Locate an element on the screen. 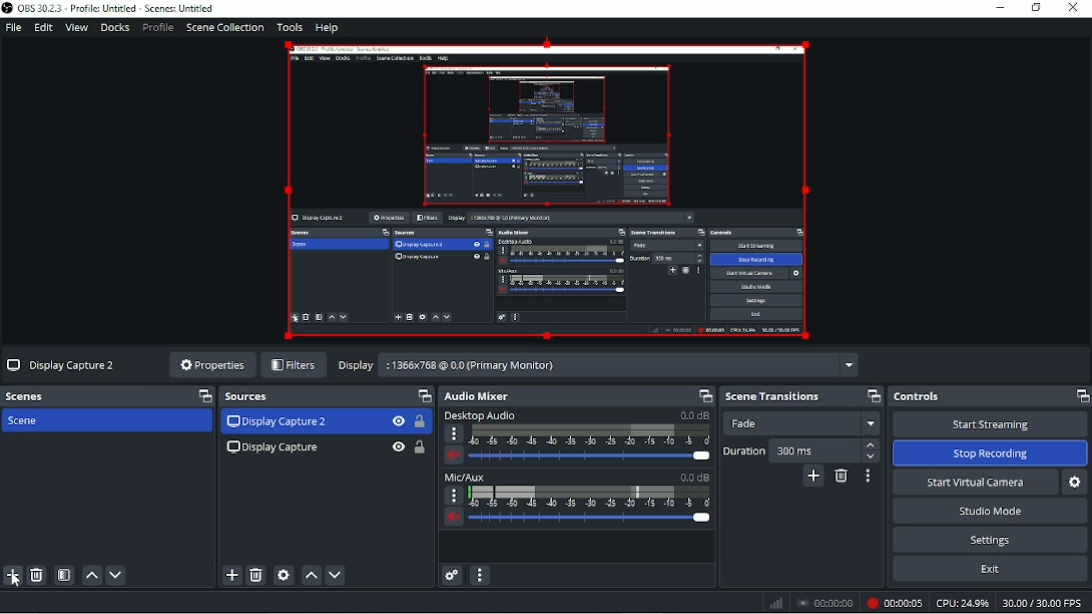 This screenshot has height=614, width=1092. Hide is located at coordinates (399, 447).